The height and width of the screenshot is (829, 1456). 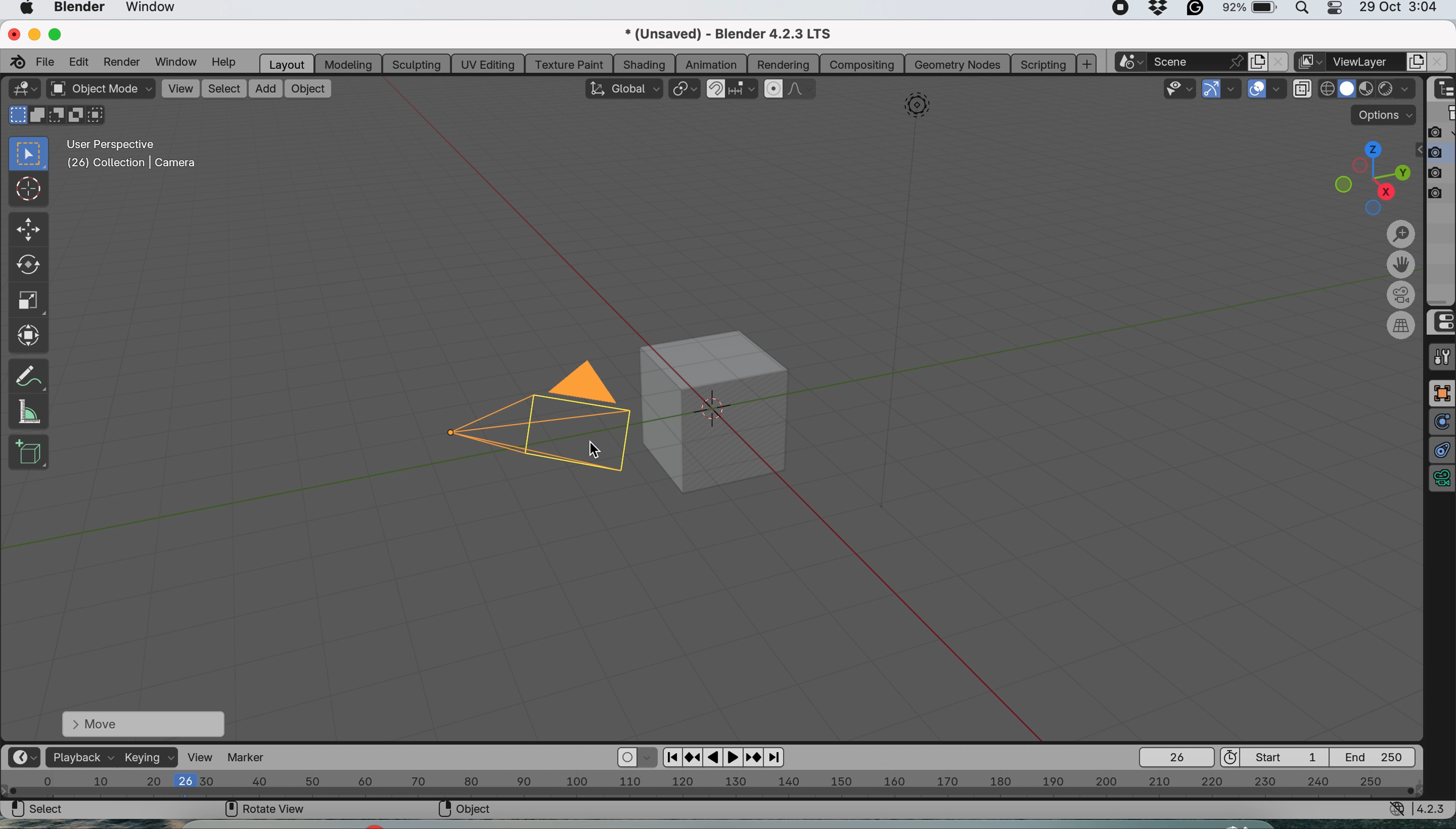 What do you see at coordinates (1441, 422) in the screenshot?
I see `physics` at bounding box center [1441, 422].